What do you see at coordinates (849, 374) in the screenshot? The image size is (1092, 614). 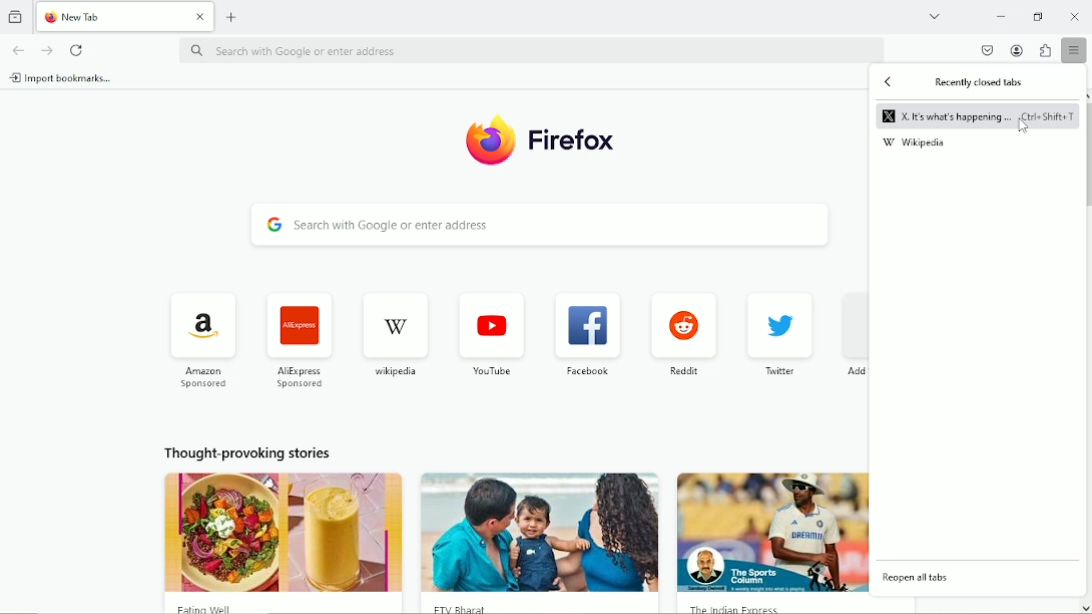 I see `Add shortcut` at bounding box center [849, 374].